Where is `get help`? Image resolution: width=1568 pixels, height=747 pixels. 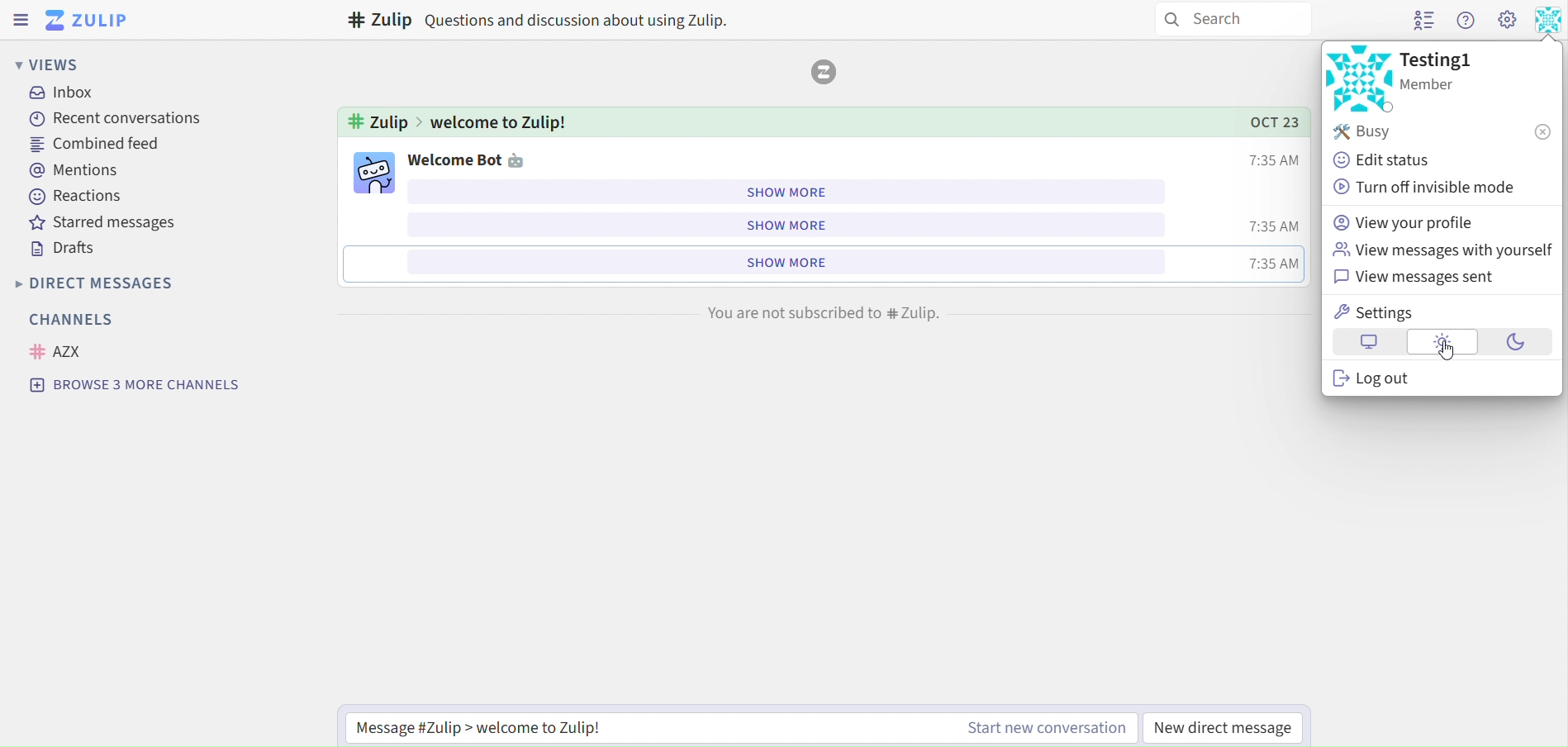
get help is located at coordinates (1464, 21).